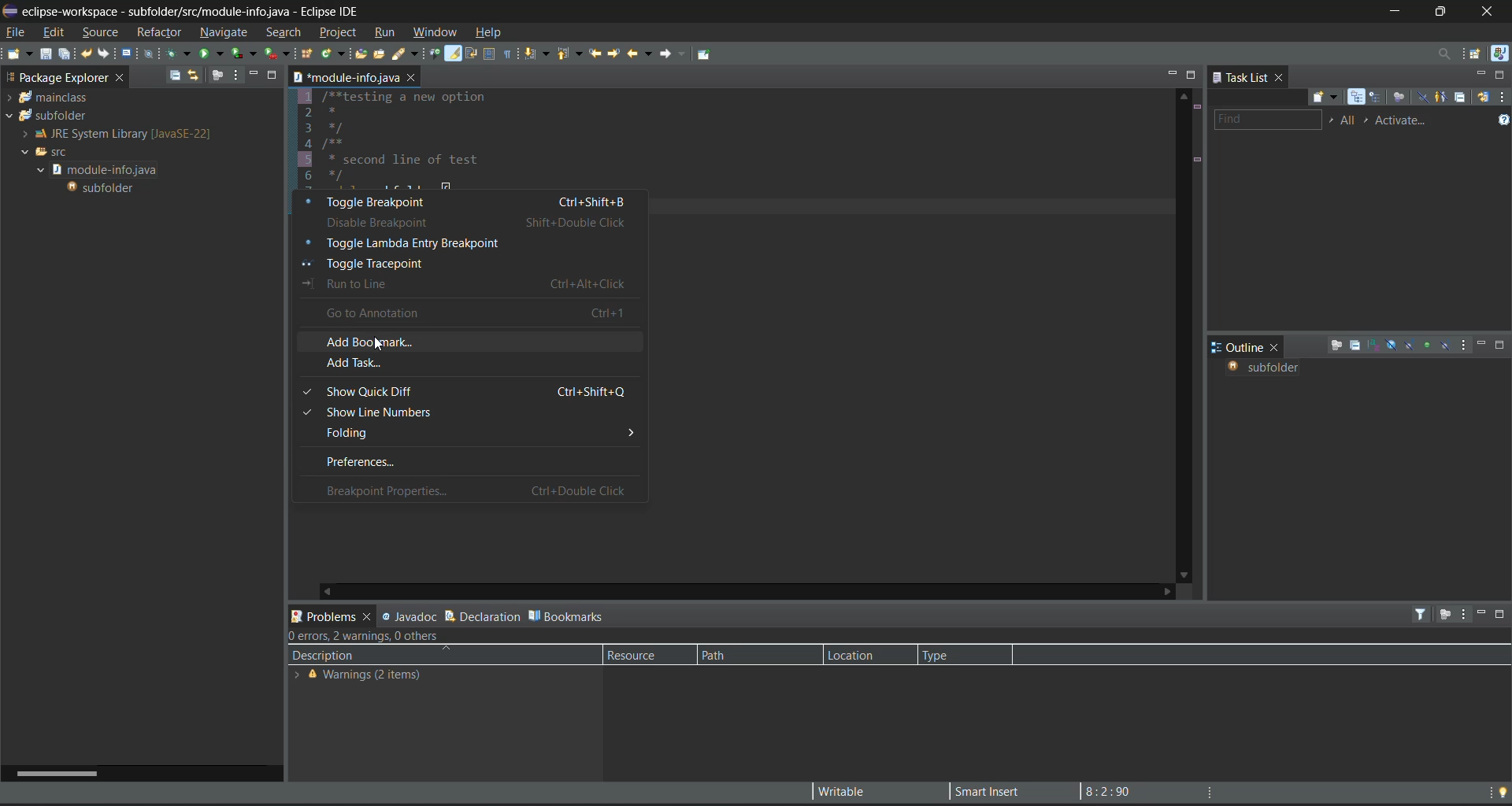 Image resolution: width=1512 pixels, height=806 pixels. What do you see at coordinates (159, 30) in the screenshot?
I see `refractor` at bounding box center [159, 30].